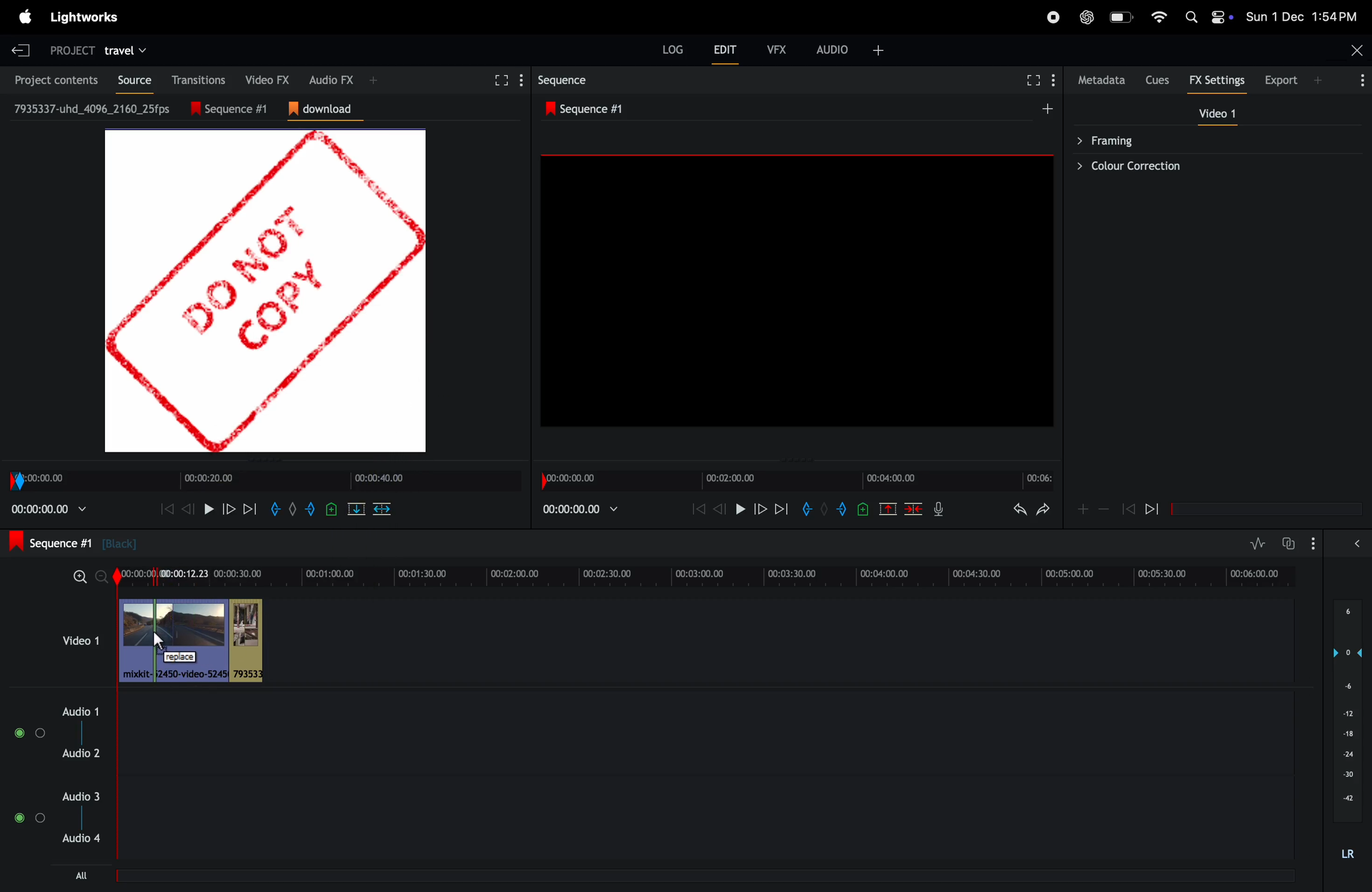 The height and width of the screenshot is (892, 1372). Describe the element at coordinates (374, 80) in the screenshot. I see `Add` at that location.